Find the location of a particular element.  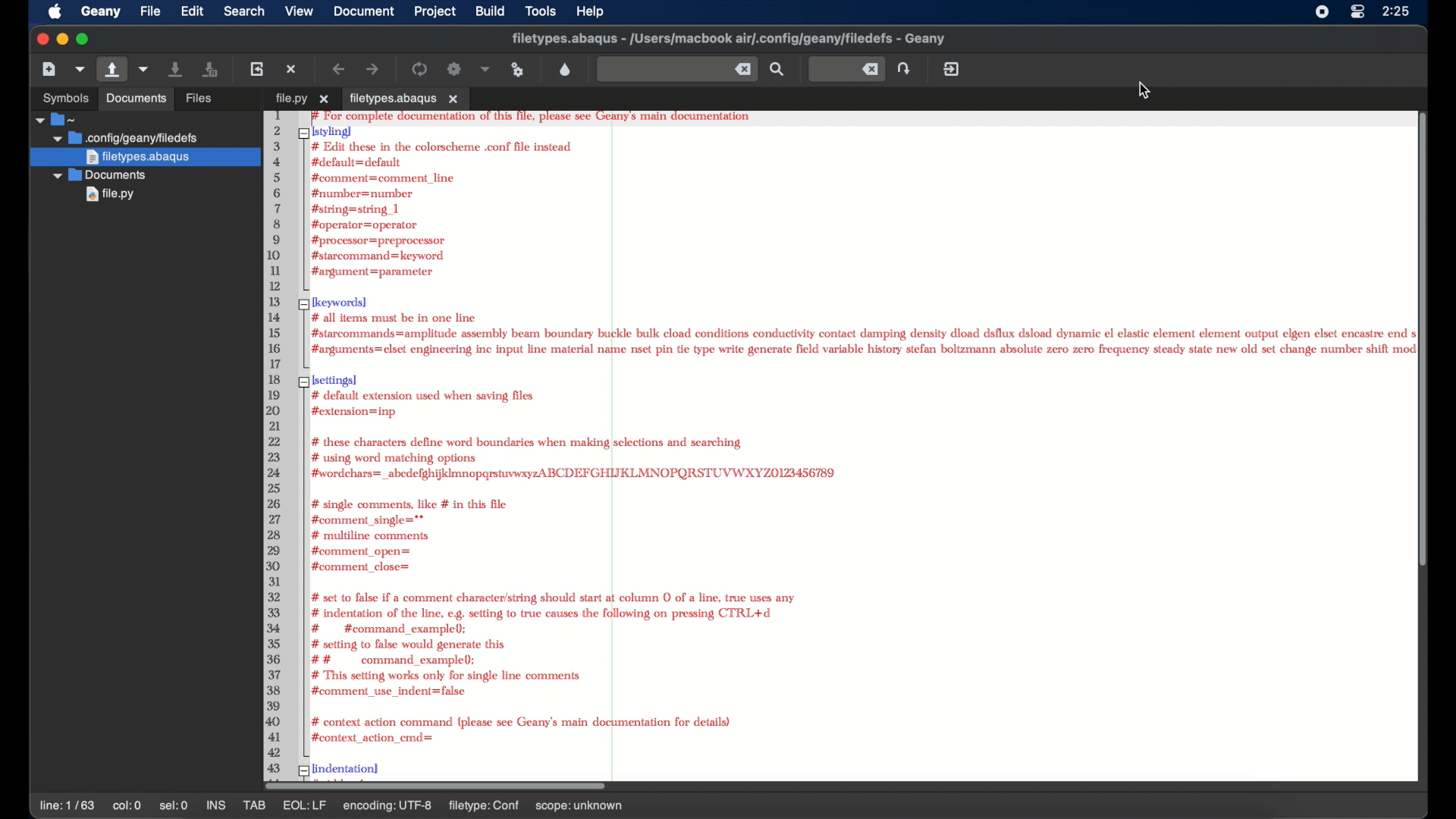

file is located at coordinates (150, 11).